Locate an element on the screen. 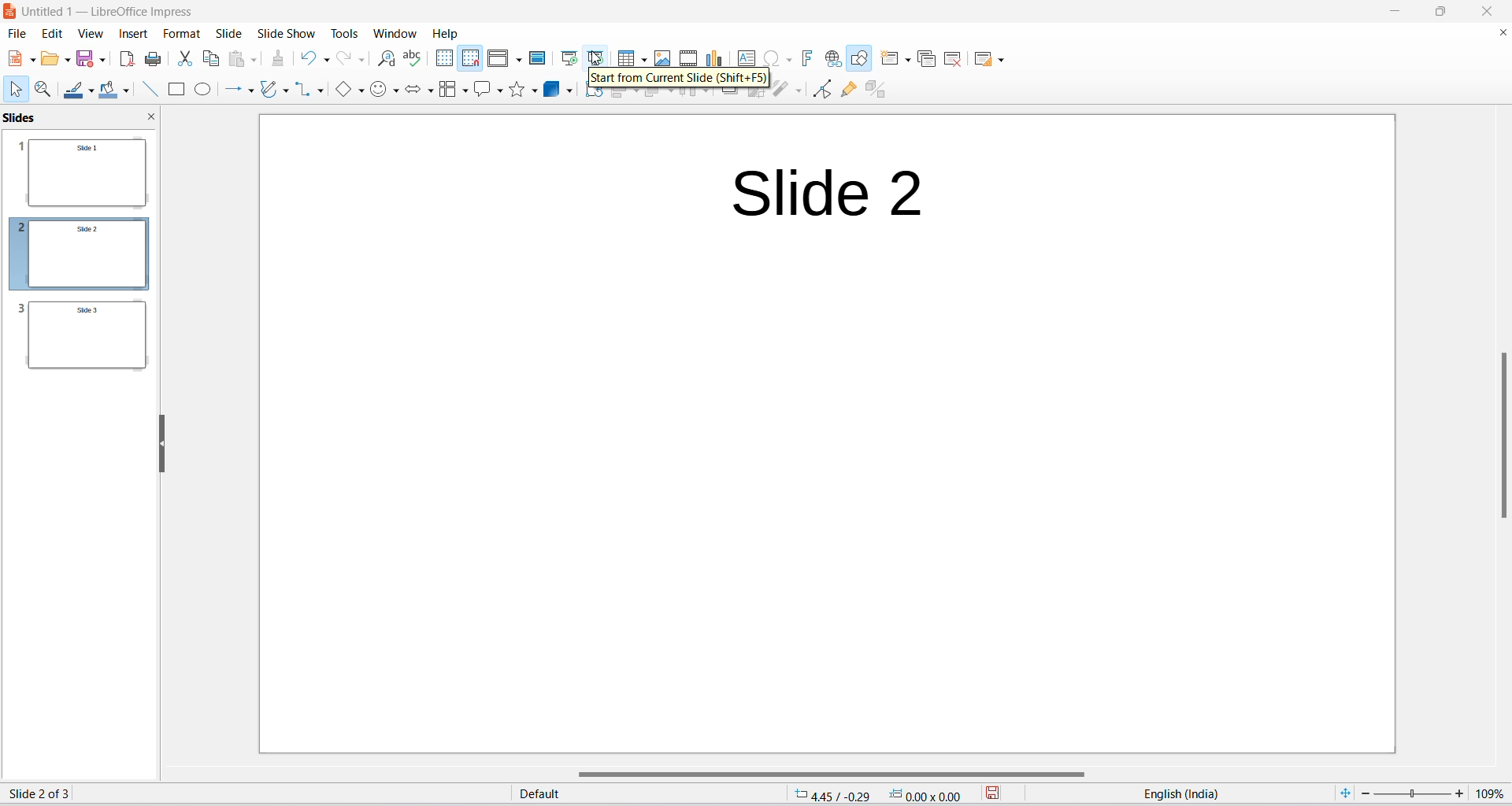 The width and height of the screenshot is (1512, 806). insert special characters is located at coordinates (773, 59).